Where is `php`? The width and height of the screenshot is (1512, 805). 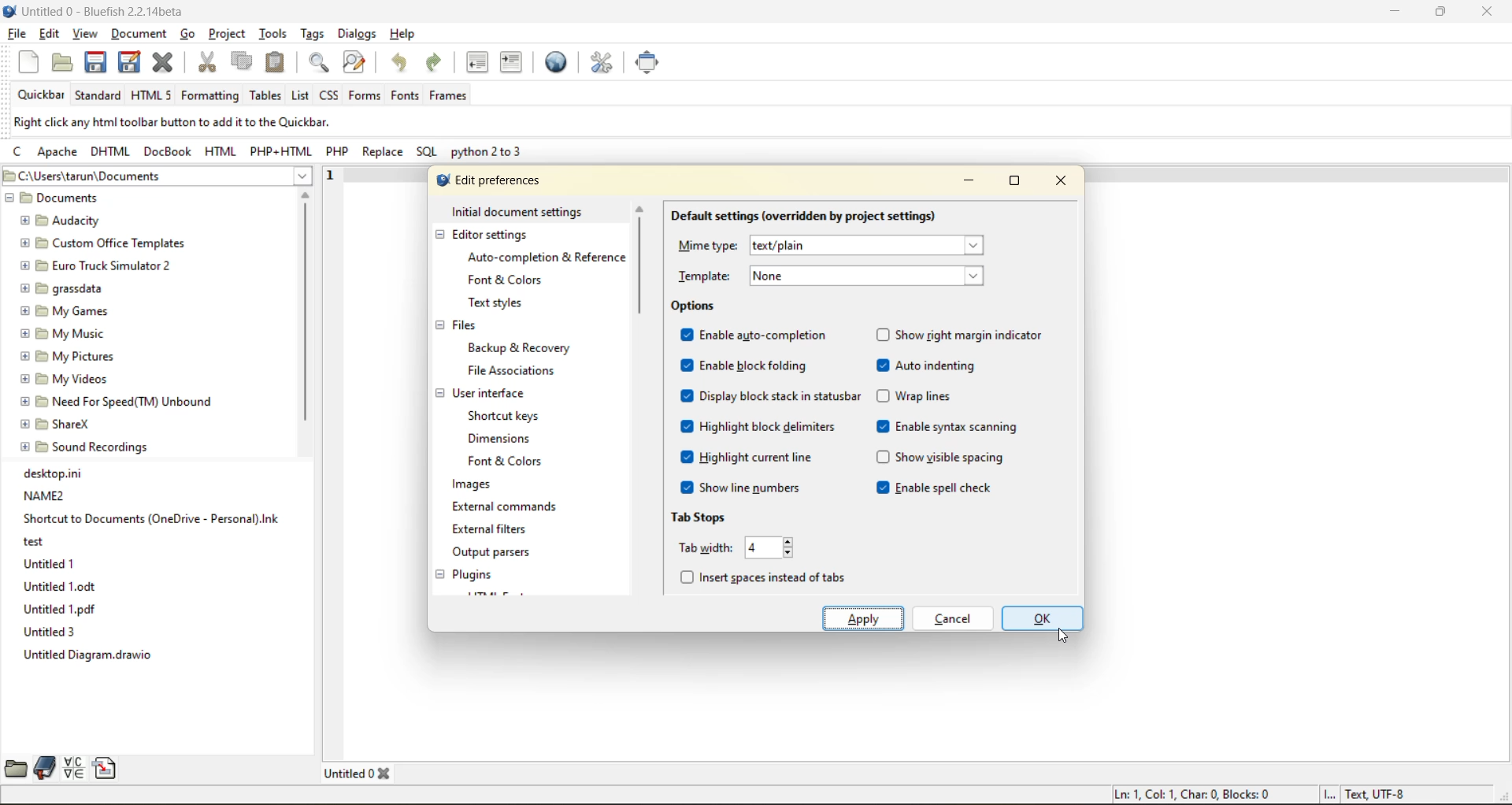
php is located at coordinates (338, 153).